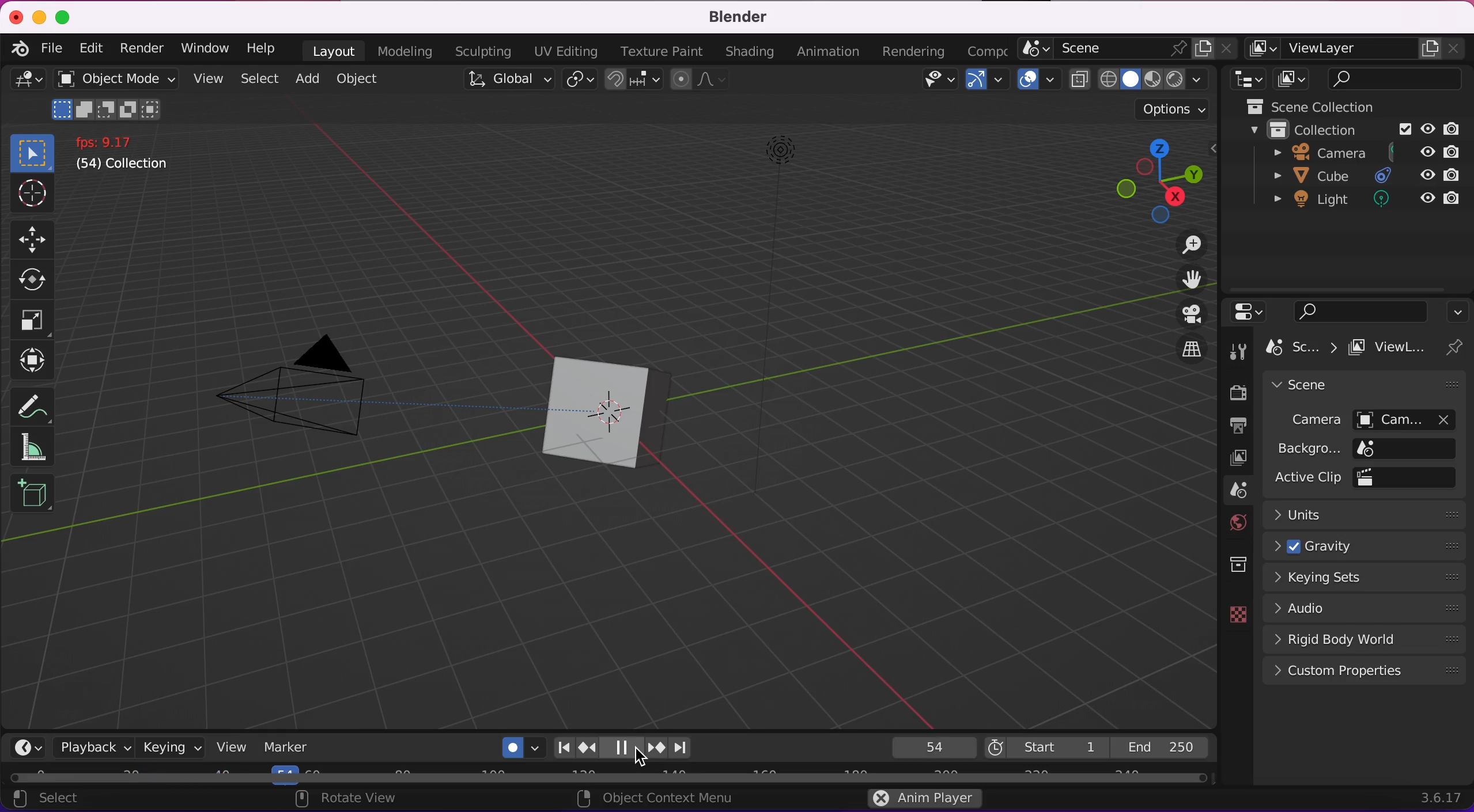 Image resolution: width=1474 pixels, height=812 pixels. What do you see at coordinates (1352, 130) in the screenshot?
I see `collection` at bounding box center [1352, 130].